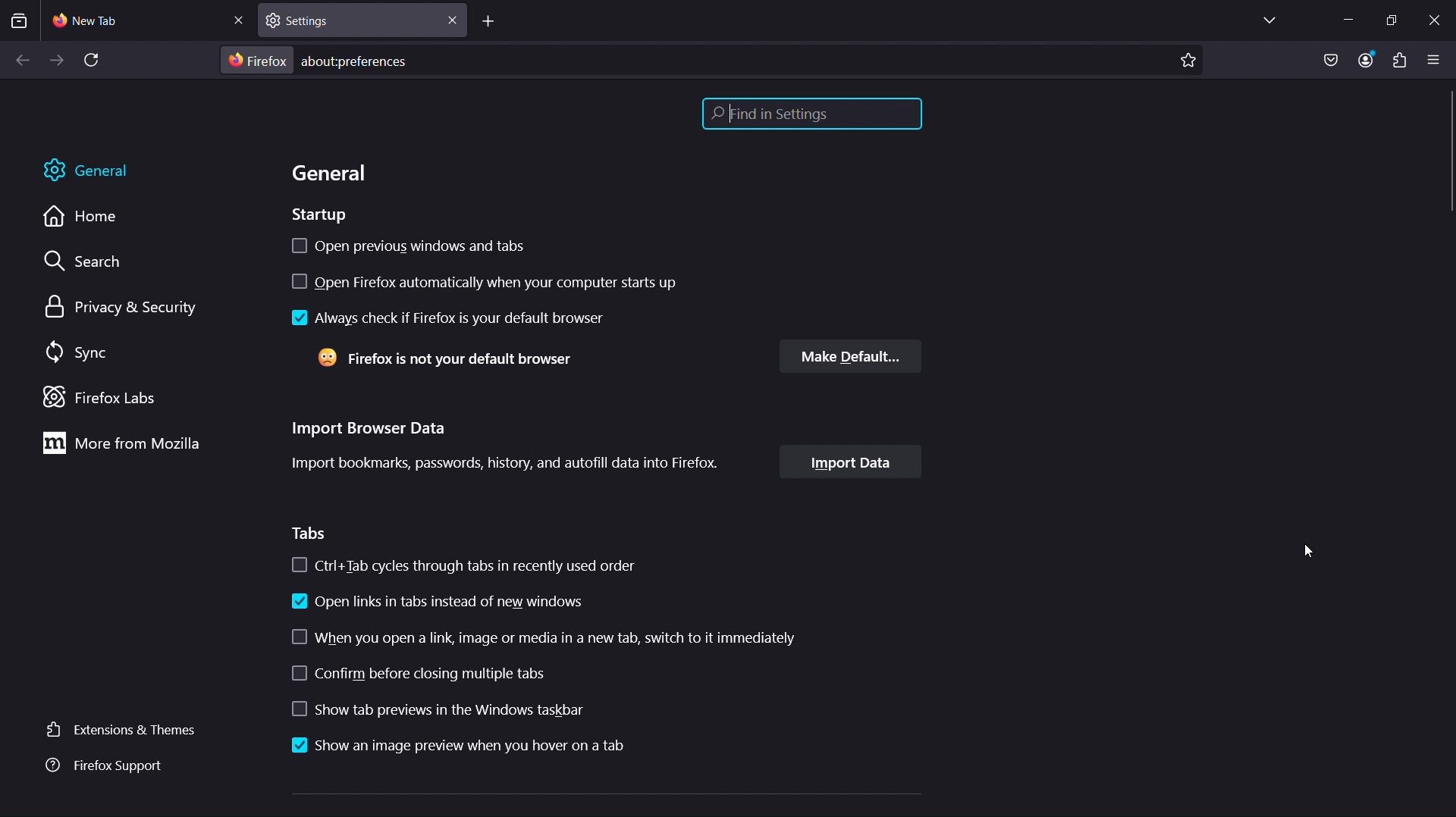 Image resolution: width=1456 pixels, height=817 pixels. Describe the element at coordinates (519, 708) in the screenshot. I see `Show tab previews in the windows taskbar` at that location.